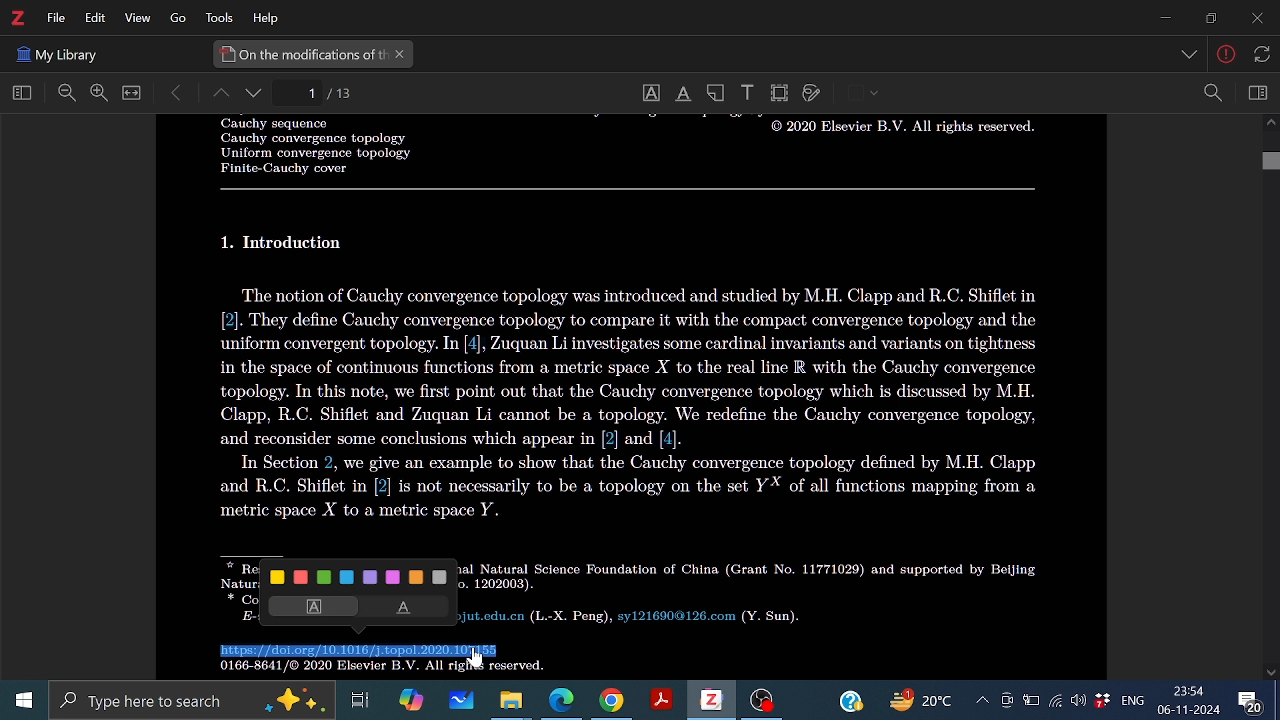 The image size is (1280, 720). What do you see at coordinates (638, 403) in the screenshot?
I see `` at bounding box center [638, 403].